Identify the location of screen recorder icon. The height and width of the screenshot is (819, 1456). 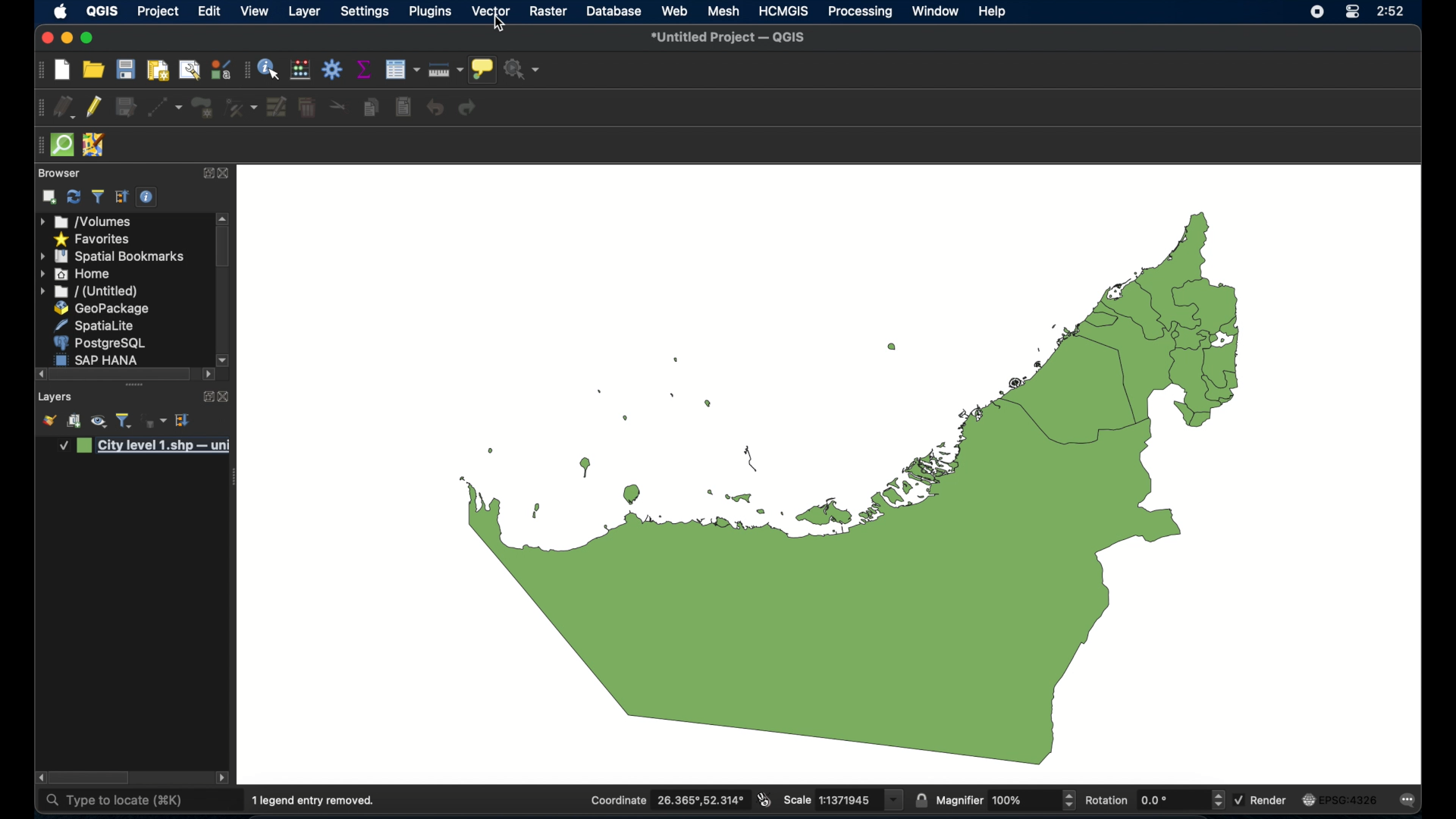
(1316, 13).